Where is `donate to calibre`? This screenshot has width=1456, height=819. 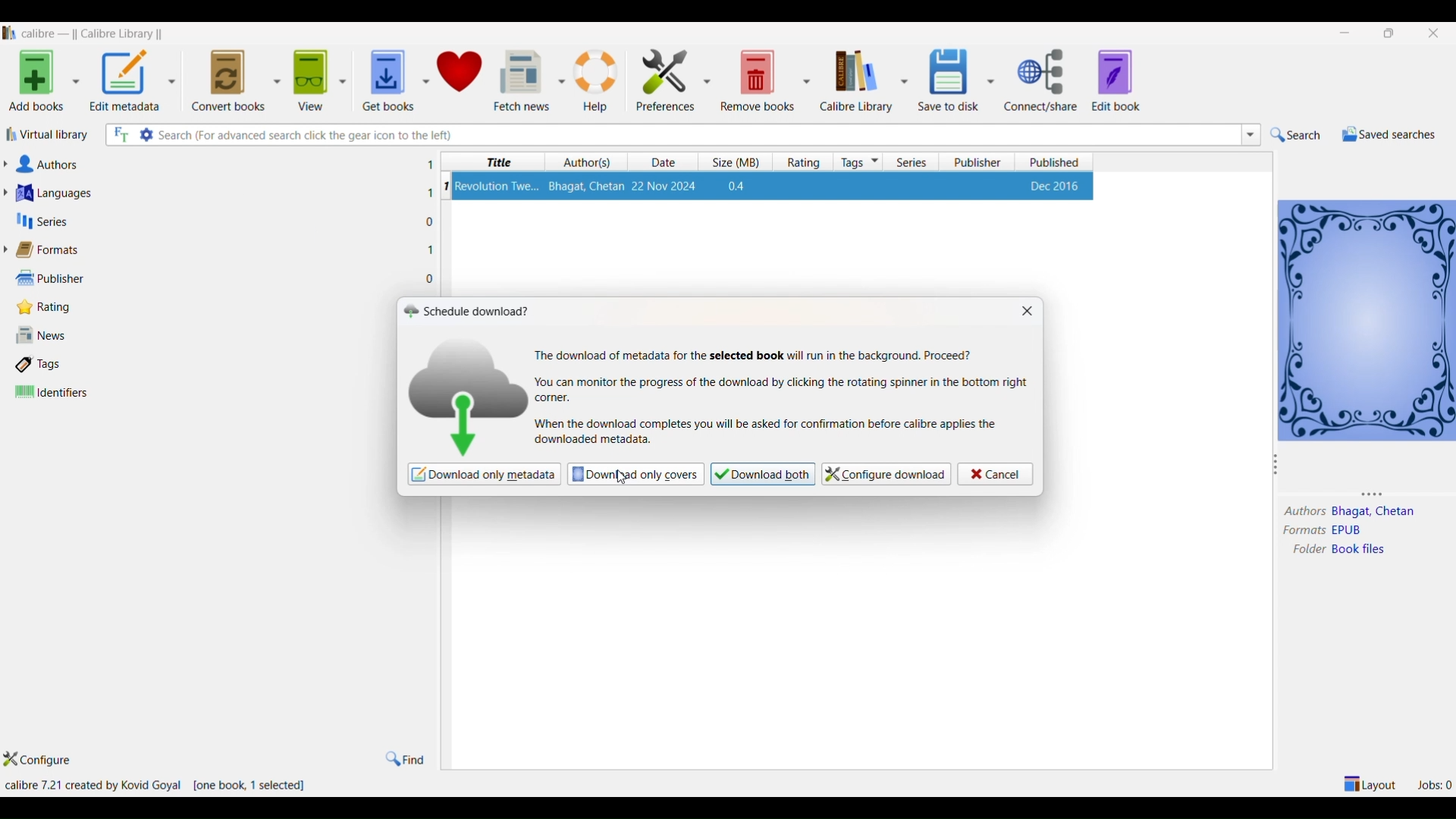 donate to calibre is located at coordinates (461, 74).